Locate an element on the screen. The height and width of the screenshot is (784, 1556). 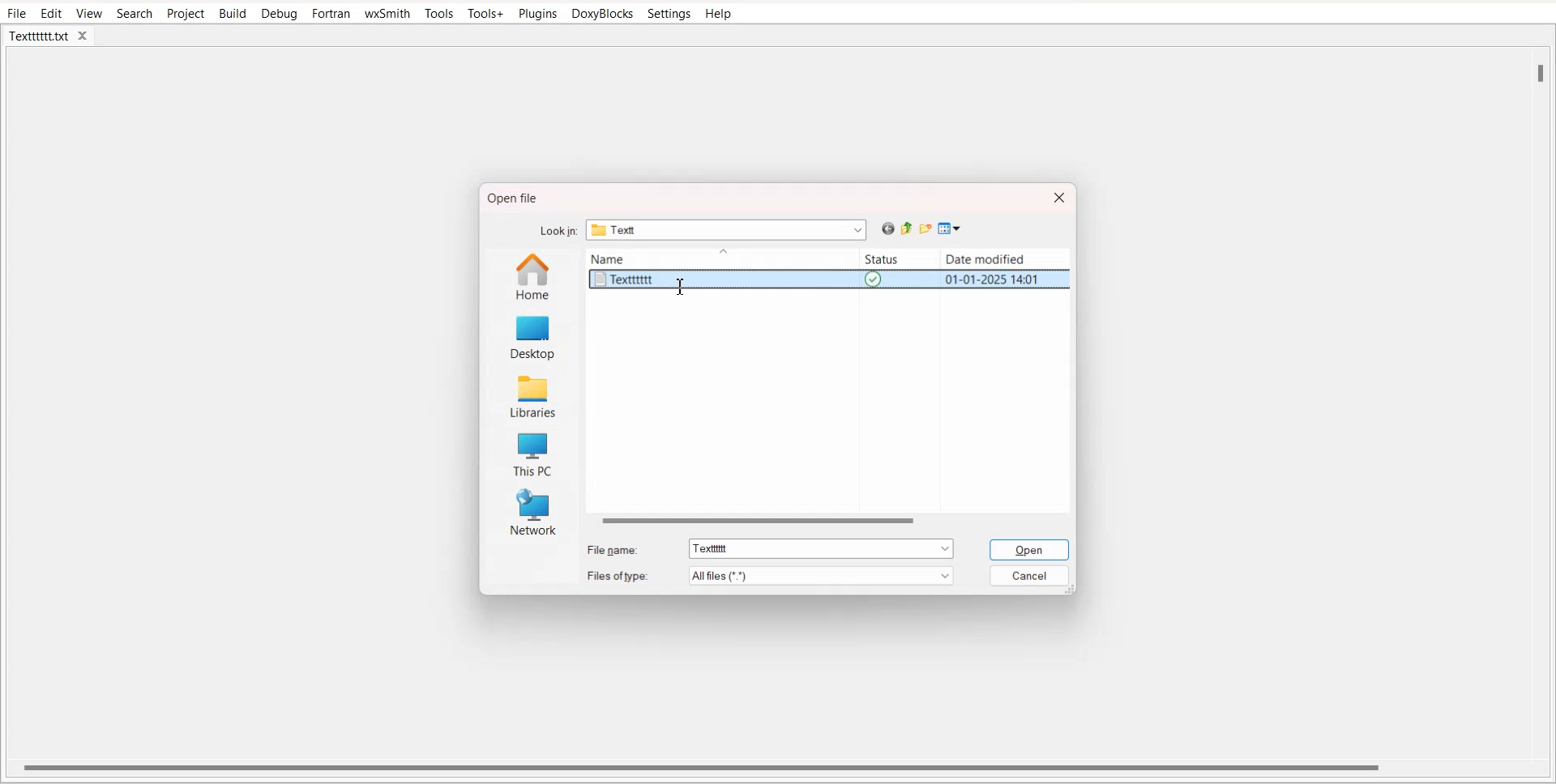
close is located at coordinates (87, 34).